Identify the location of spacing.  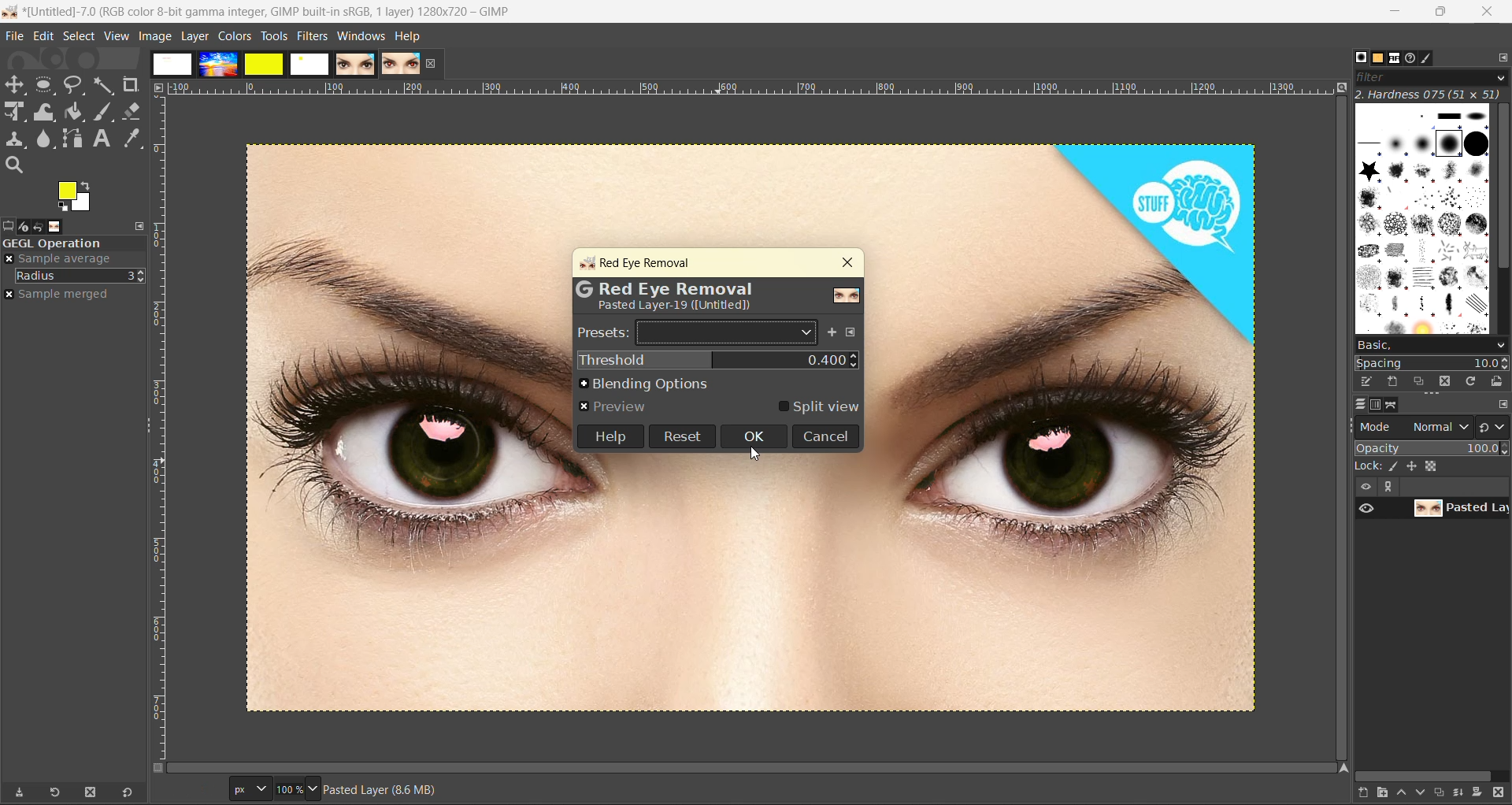
(1433, 365).